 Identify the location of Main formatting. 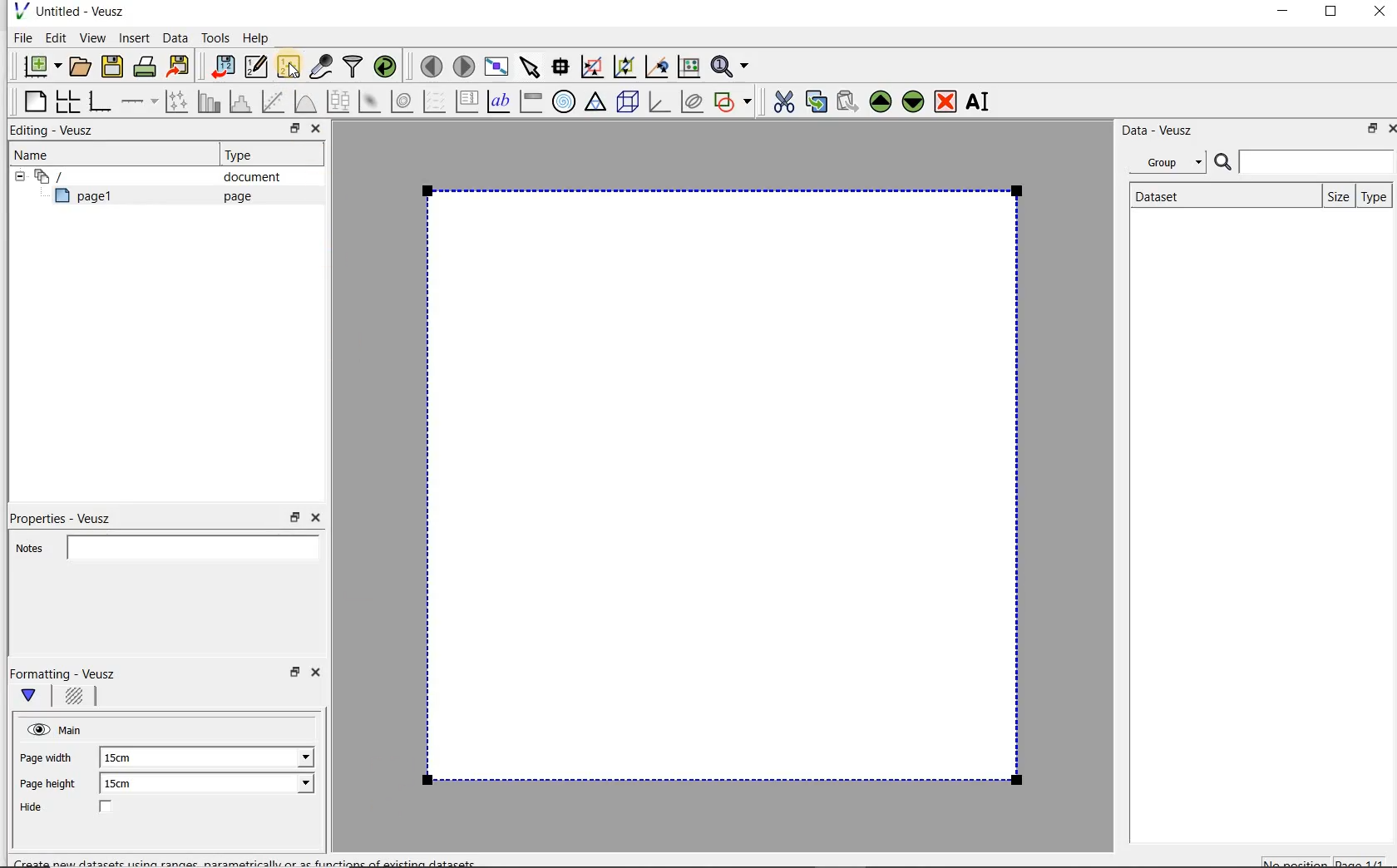
(36, 697).